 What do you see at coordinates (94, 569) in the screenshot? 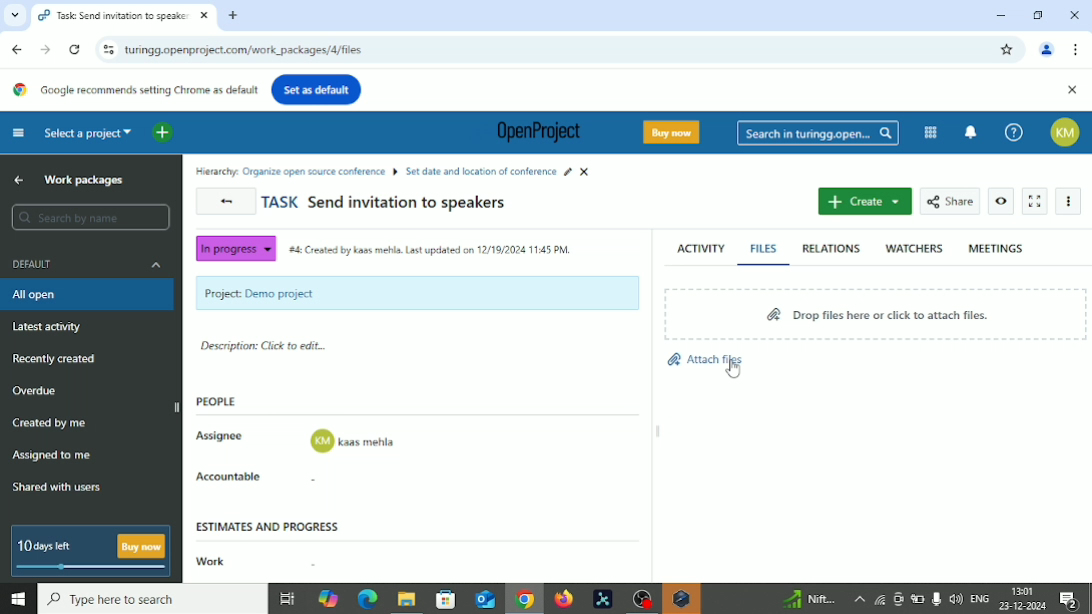
I see `slide bar indicating how many days left for free version` at bounding box center [94, 569].